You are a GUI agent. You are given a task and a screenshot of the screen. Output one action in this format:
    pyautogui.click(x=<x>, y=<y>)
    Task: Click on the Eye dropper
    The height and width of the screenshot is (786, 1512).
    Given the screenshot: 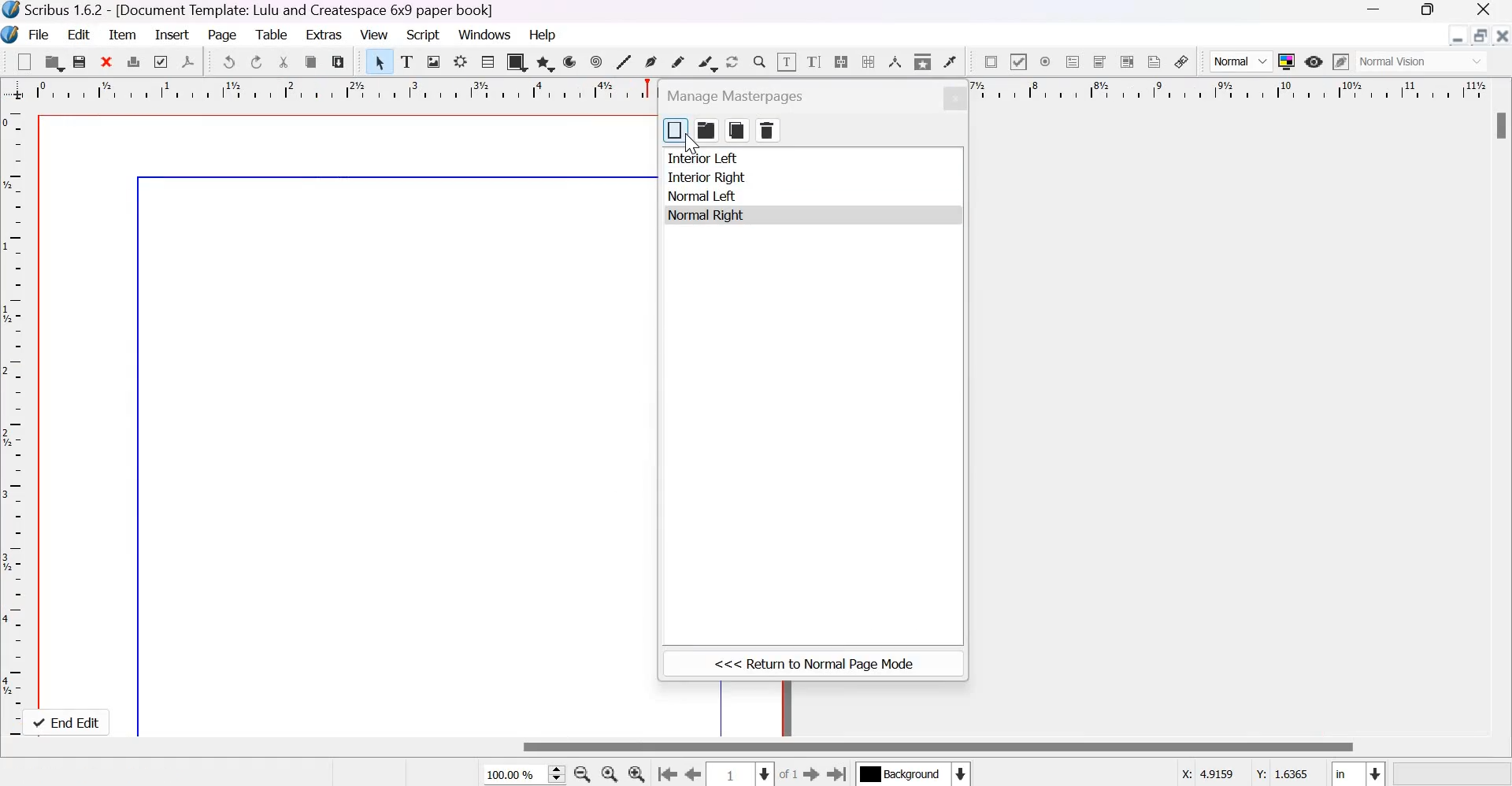 What is the action you would take?
    pyautogui.click(x=949, y=62)
    